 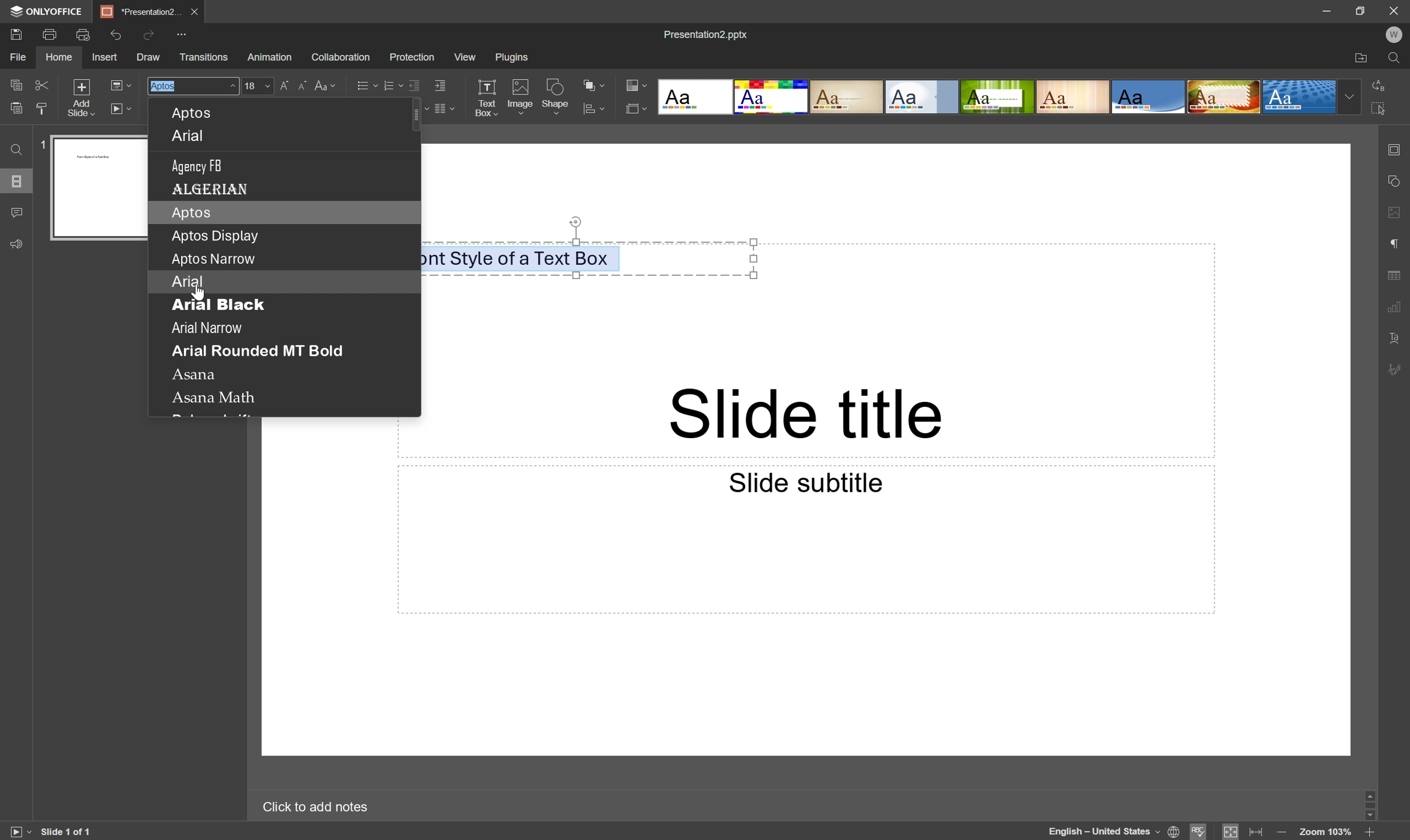 I want to click on ONLYOFFICE, so click(x=45, y=11).